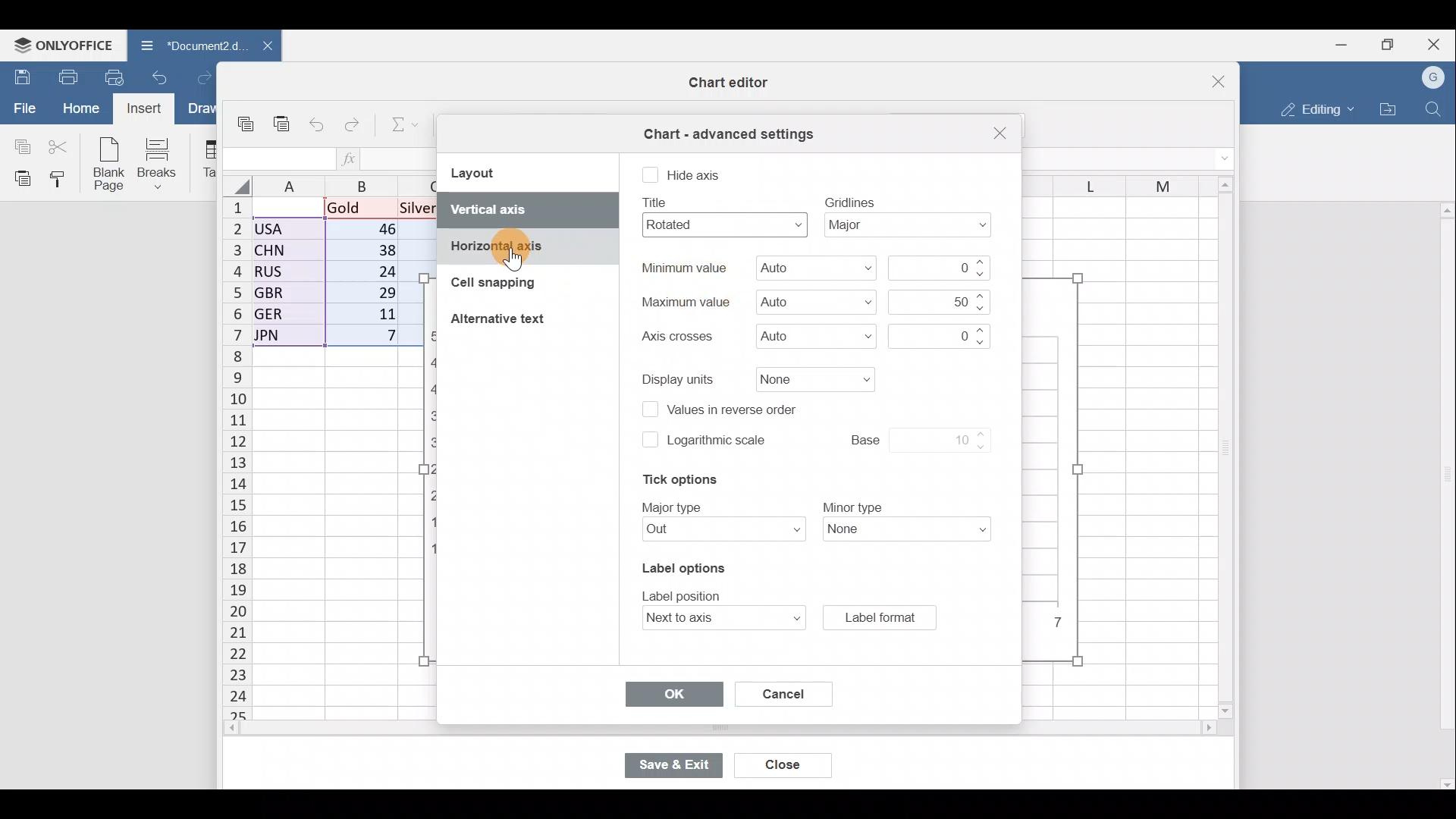 The height and width of the screenshot is (819, 1456). What do you see at coordinates (813, 301) in the screenshot?
I see `Maximum value` at bounding box center [813, 301].